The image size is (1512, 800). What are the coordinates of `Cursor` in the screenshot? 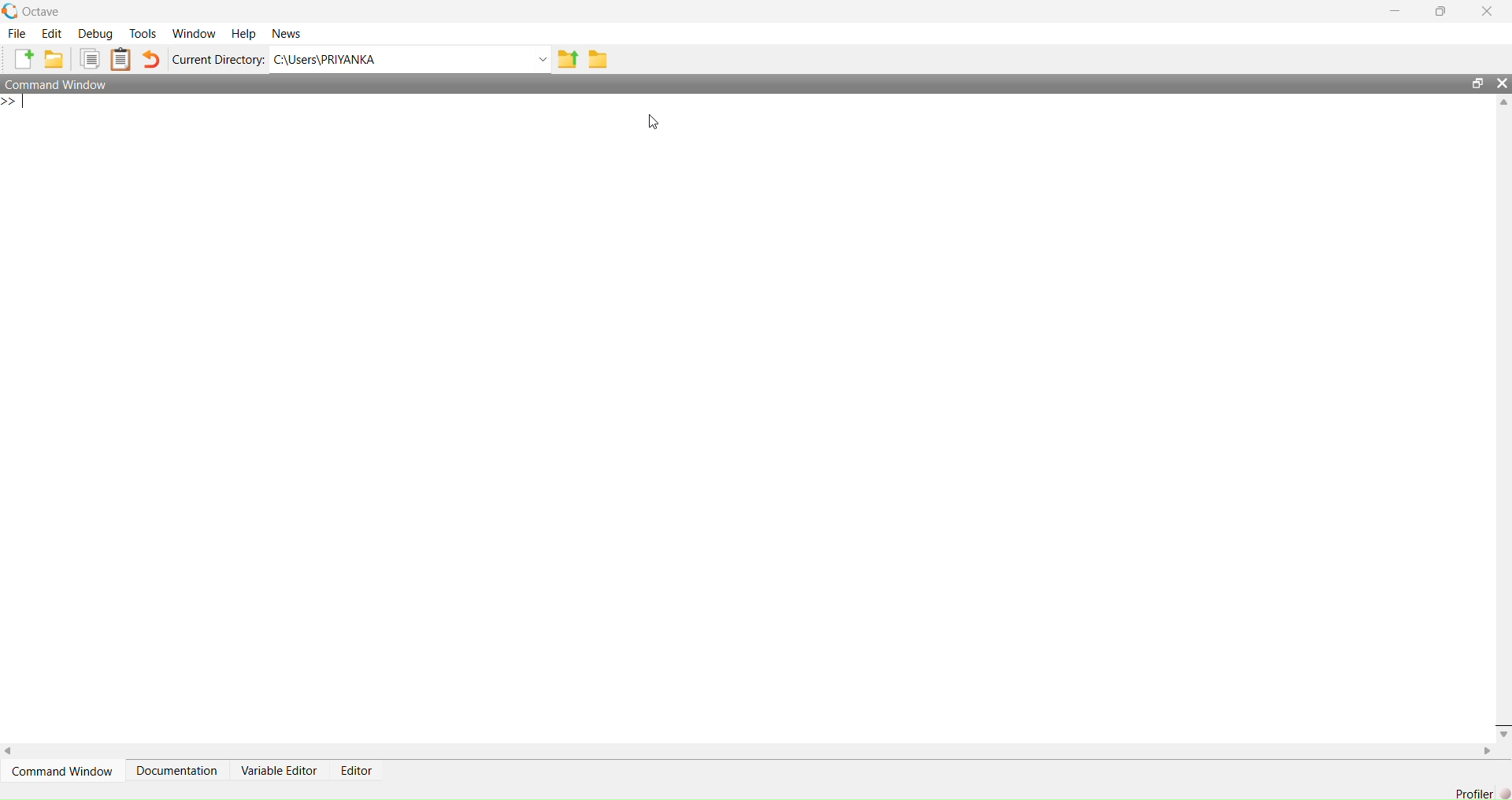 It's located at (653, 124).